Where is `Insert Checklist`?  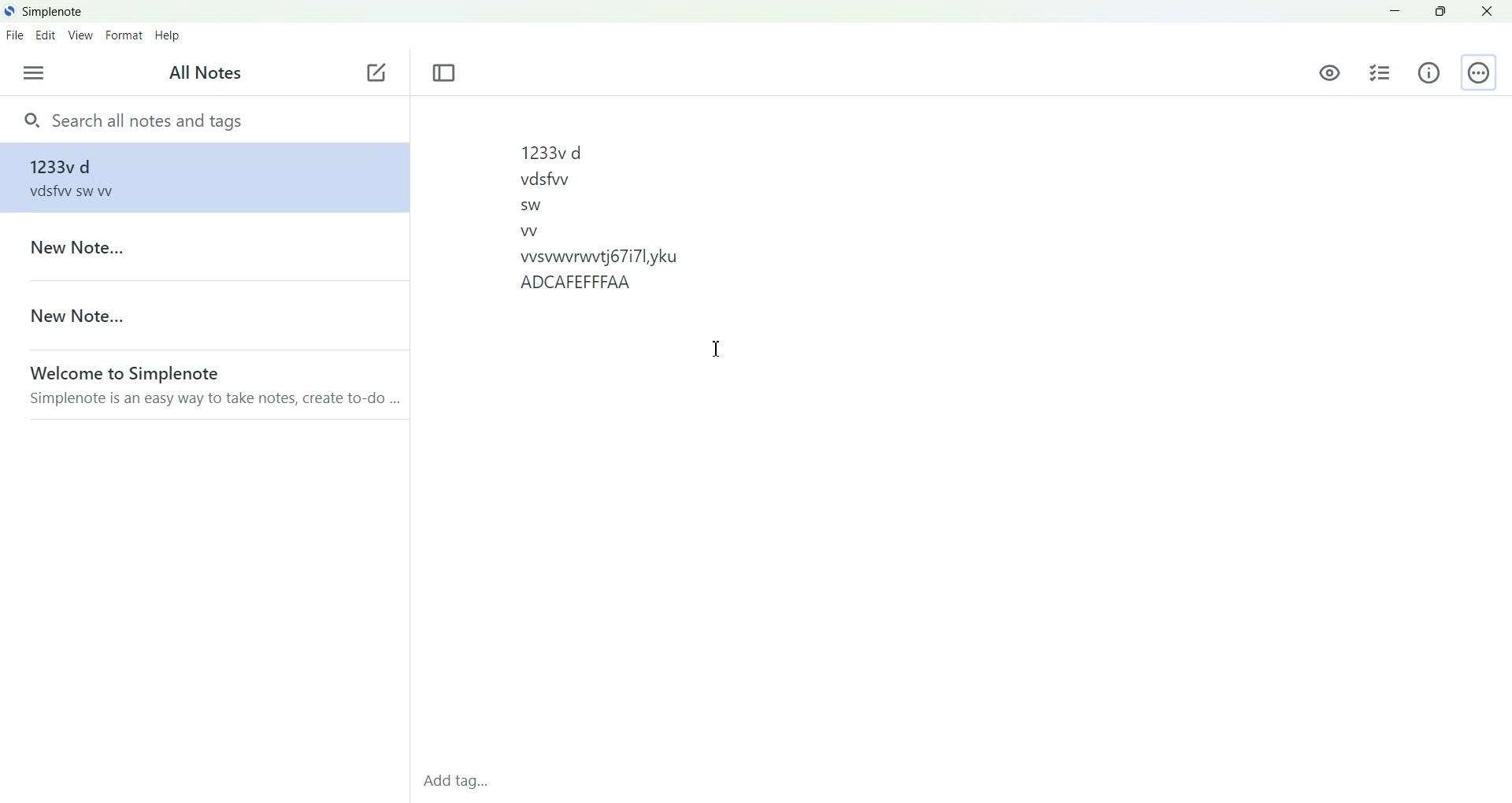 Insert Checklist is located at coordinates (1380, 73).